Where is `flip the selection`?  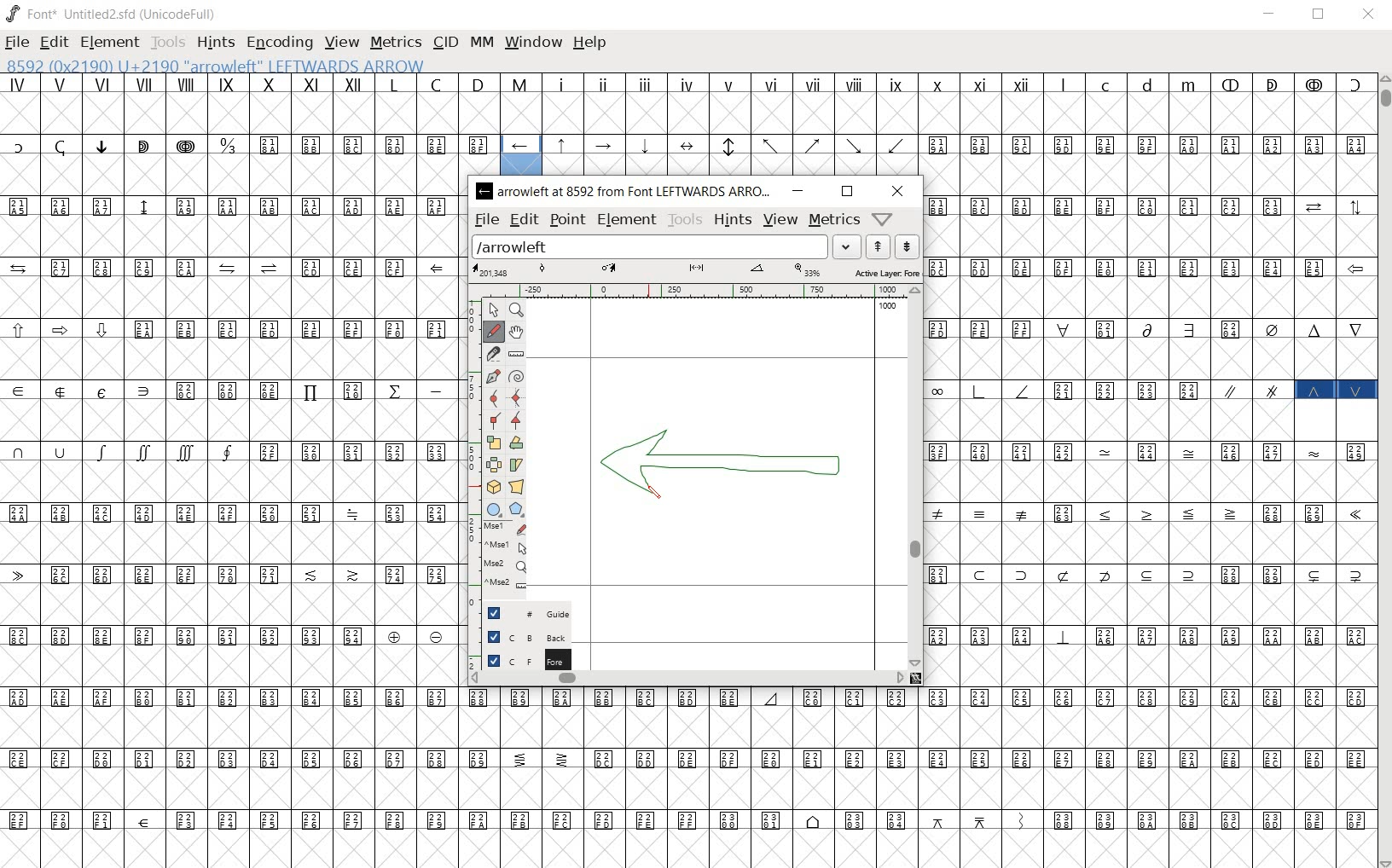
flip the selection is located at coordinates (493, 465).